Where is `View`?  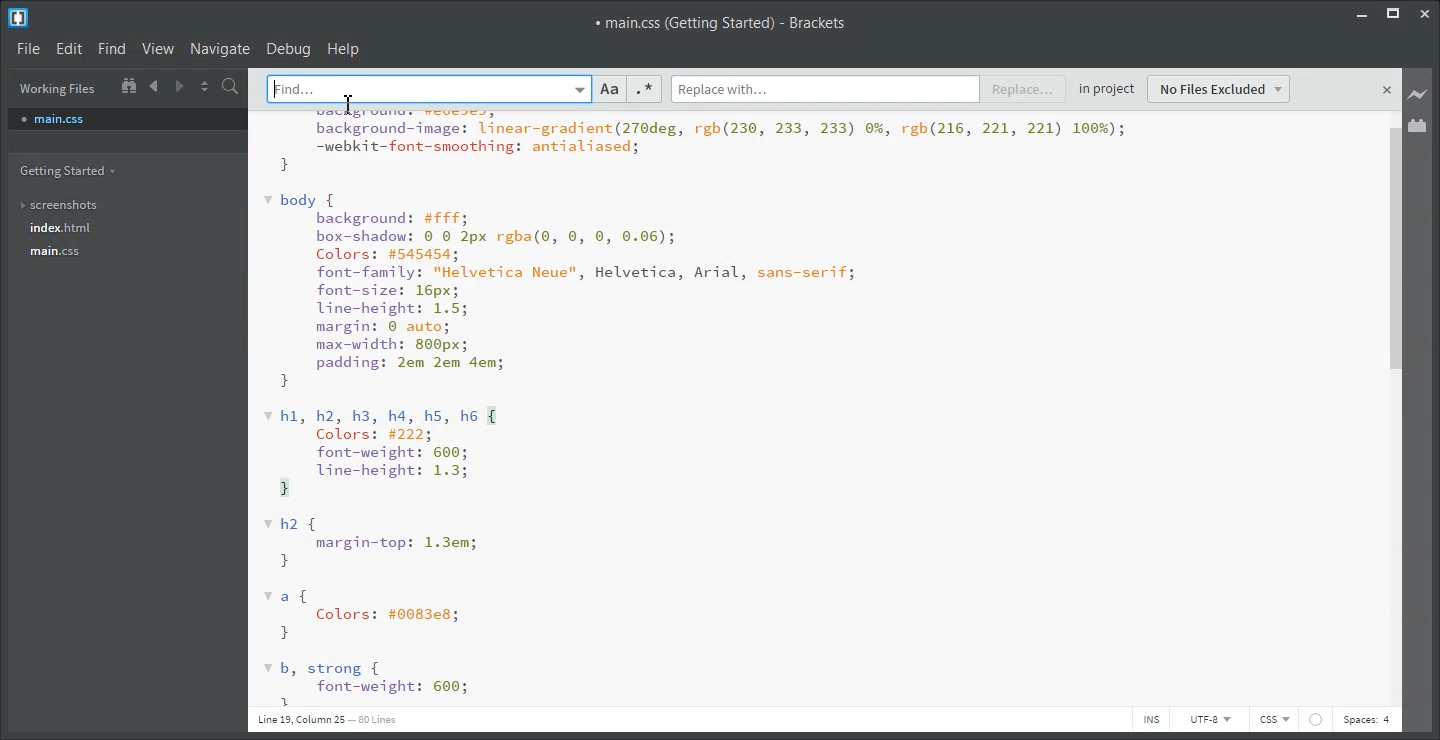
View is located at coordinates (158, 48).